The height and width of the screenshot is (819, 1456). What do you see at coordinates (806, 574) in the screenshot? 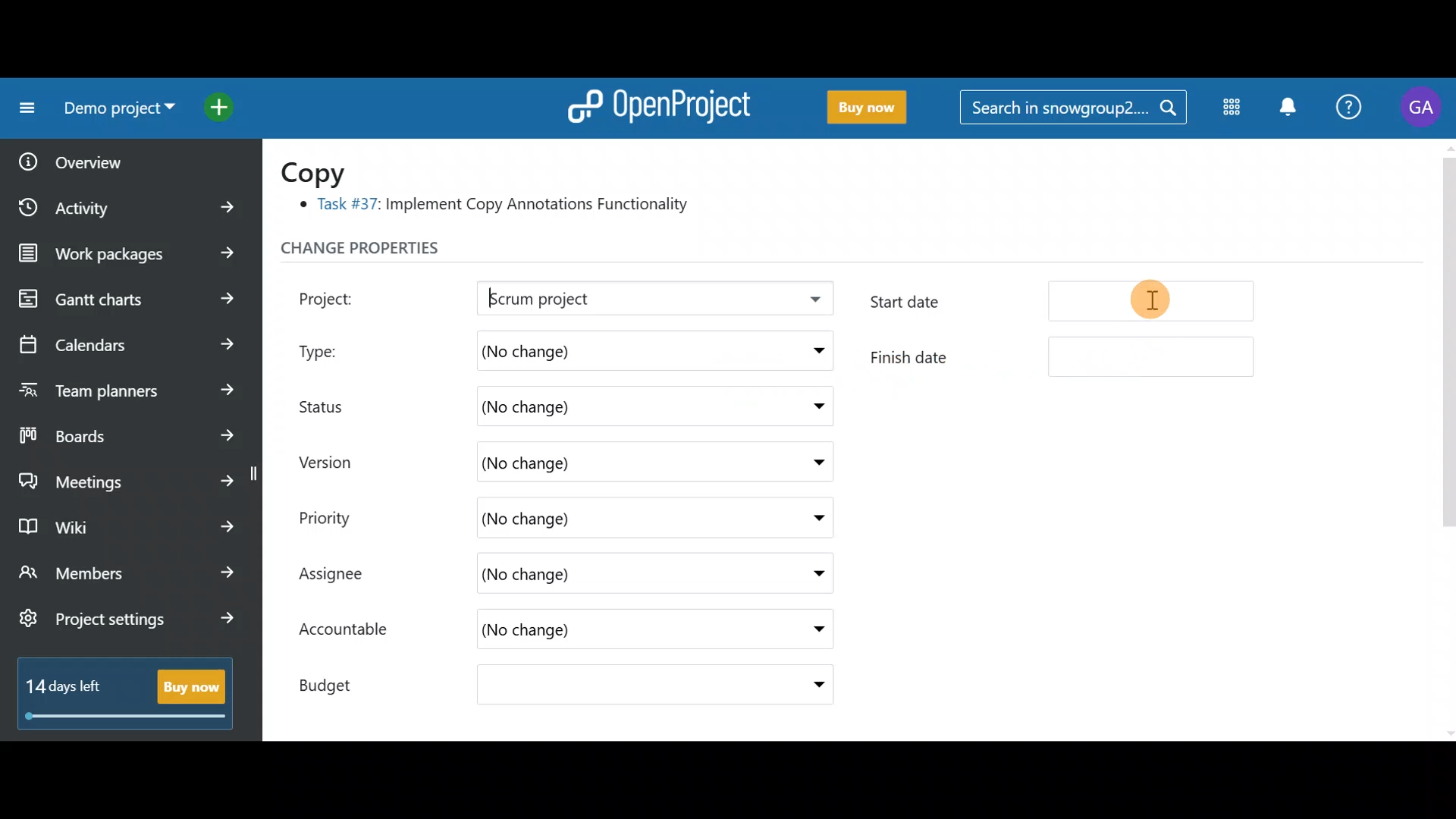
I see `Assignee drop down` at bounding box center [806, 574].